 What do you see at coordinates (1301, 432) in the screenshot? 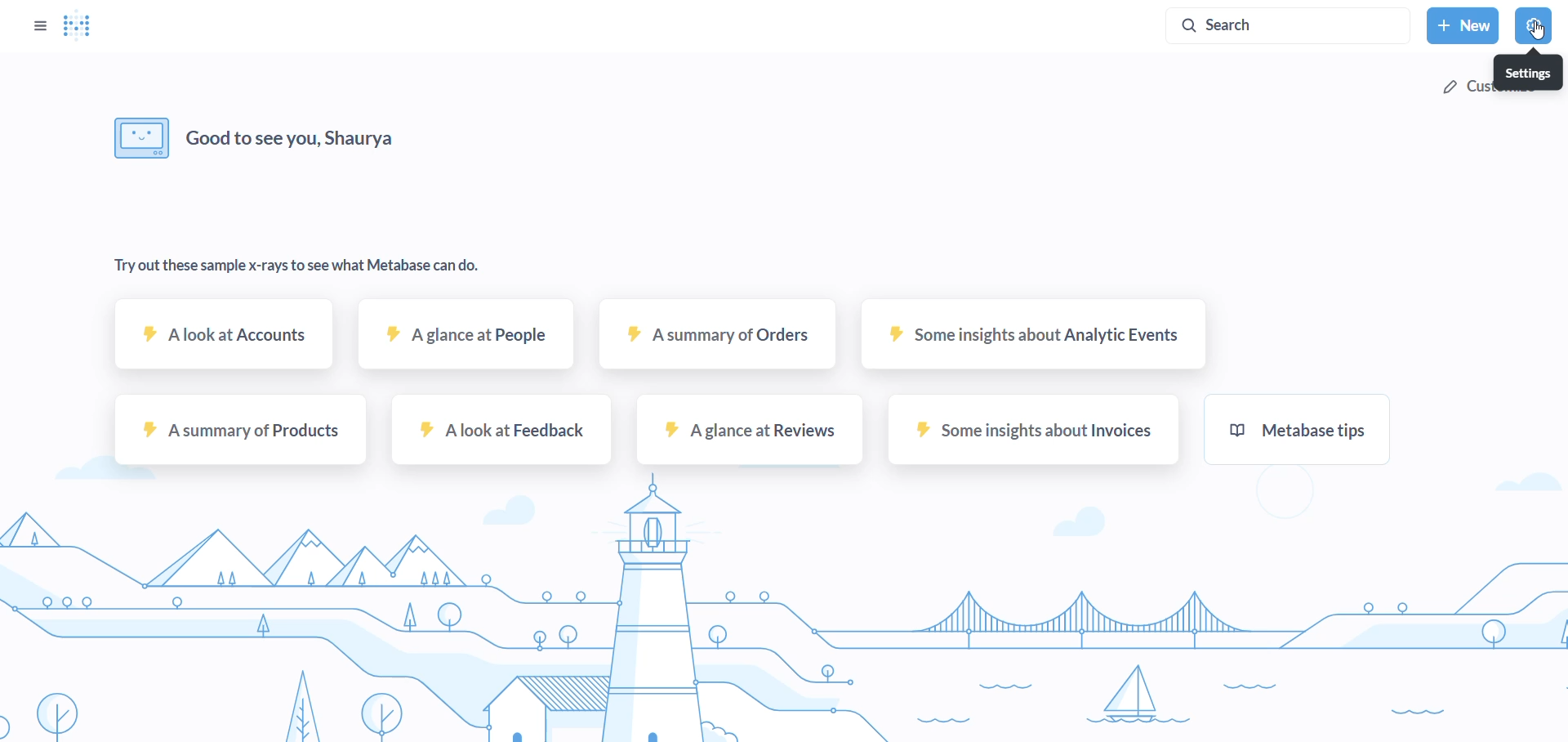
I see `metabase tips` at bounding box center [1301, 432].